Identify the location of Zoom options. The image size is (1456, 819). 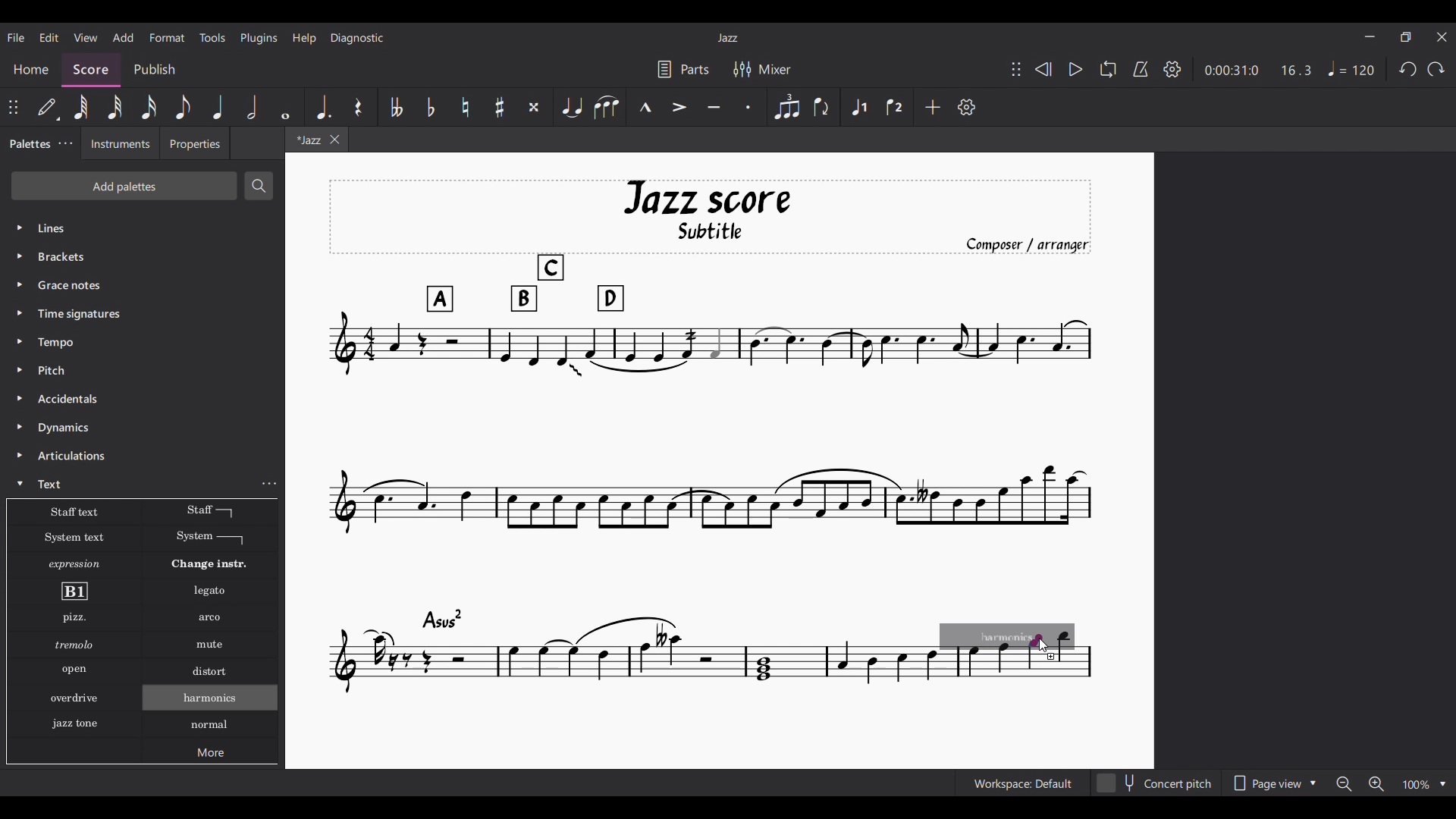
(1391, 783).